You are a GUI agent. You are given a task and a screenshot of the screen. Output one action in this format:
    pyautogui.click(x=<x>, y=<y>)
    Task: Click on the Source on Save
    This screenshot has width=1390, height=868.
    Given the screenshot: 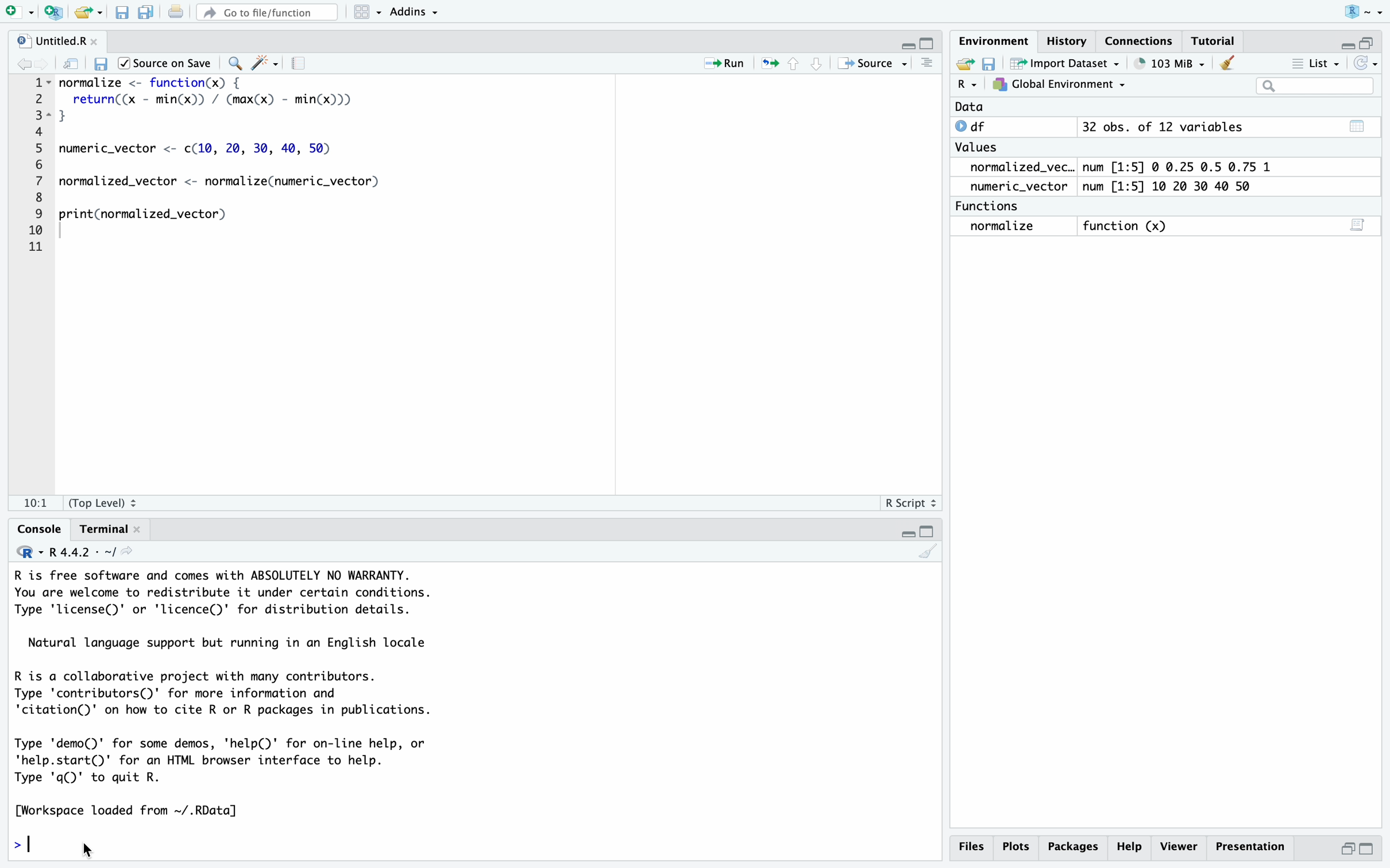 What is the action you would take?
    pyautogui.click(x=168, y=64)
    